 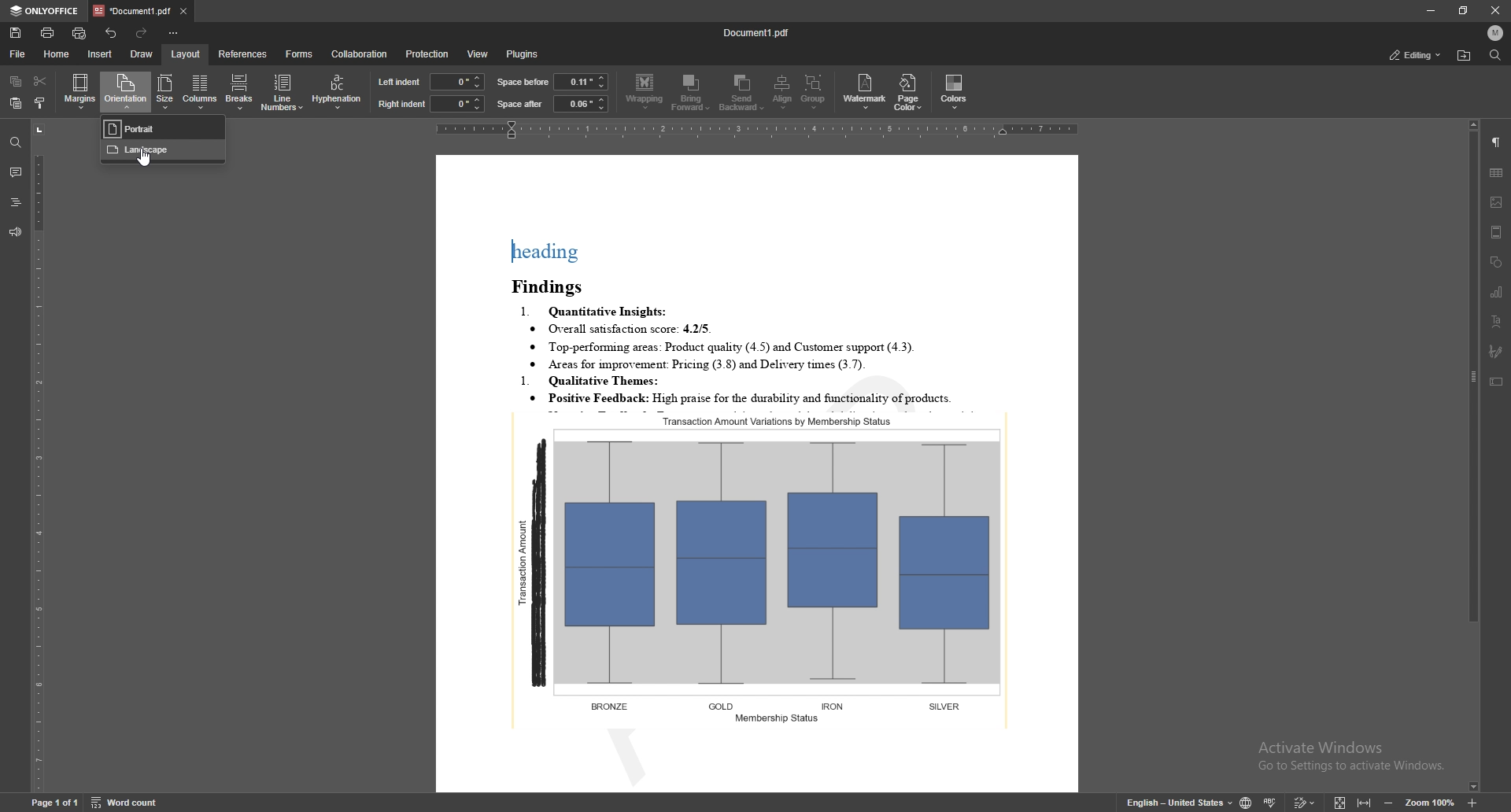 What do you see at coordinates (1473, 456) in the screenshot?
I see `scroll bar` at bounding box center [1473, 456].